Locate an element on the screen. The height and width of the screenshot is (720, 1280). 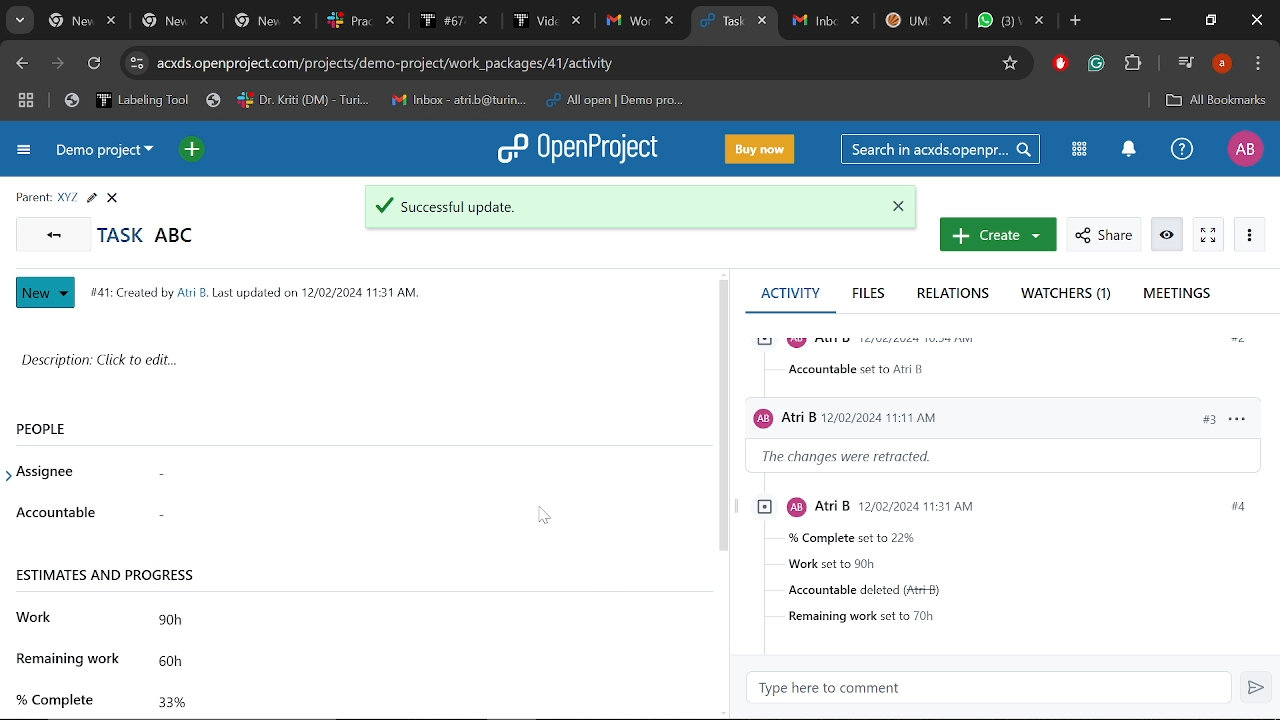
Cite information is located at coordinates (136, 63).